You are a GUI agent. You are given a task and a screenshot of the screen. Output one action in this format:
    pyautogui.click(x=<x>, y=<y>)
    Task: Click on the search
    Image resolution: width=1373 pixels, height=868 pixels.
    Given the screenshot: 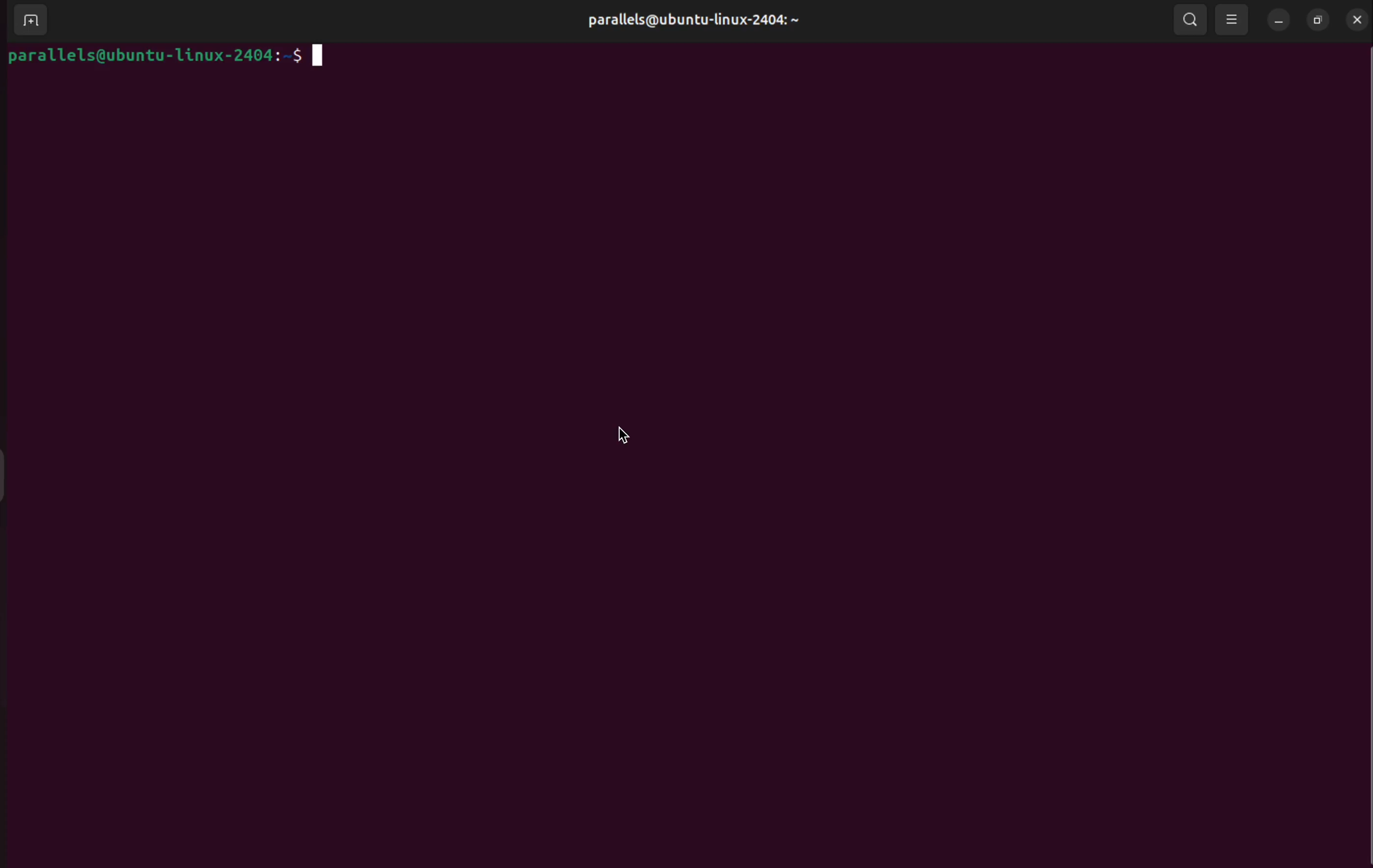 What is the action you would take?
    pyautogui.click(x=1189, y=21)
    